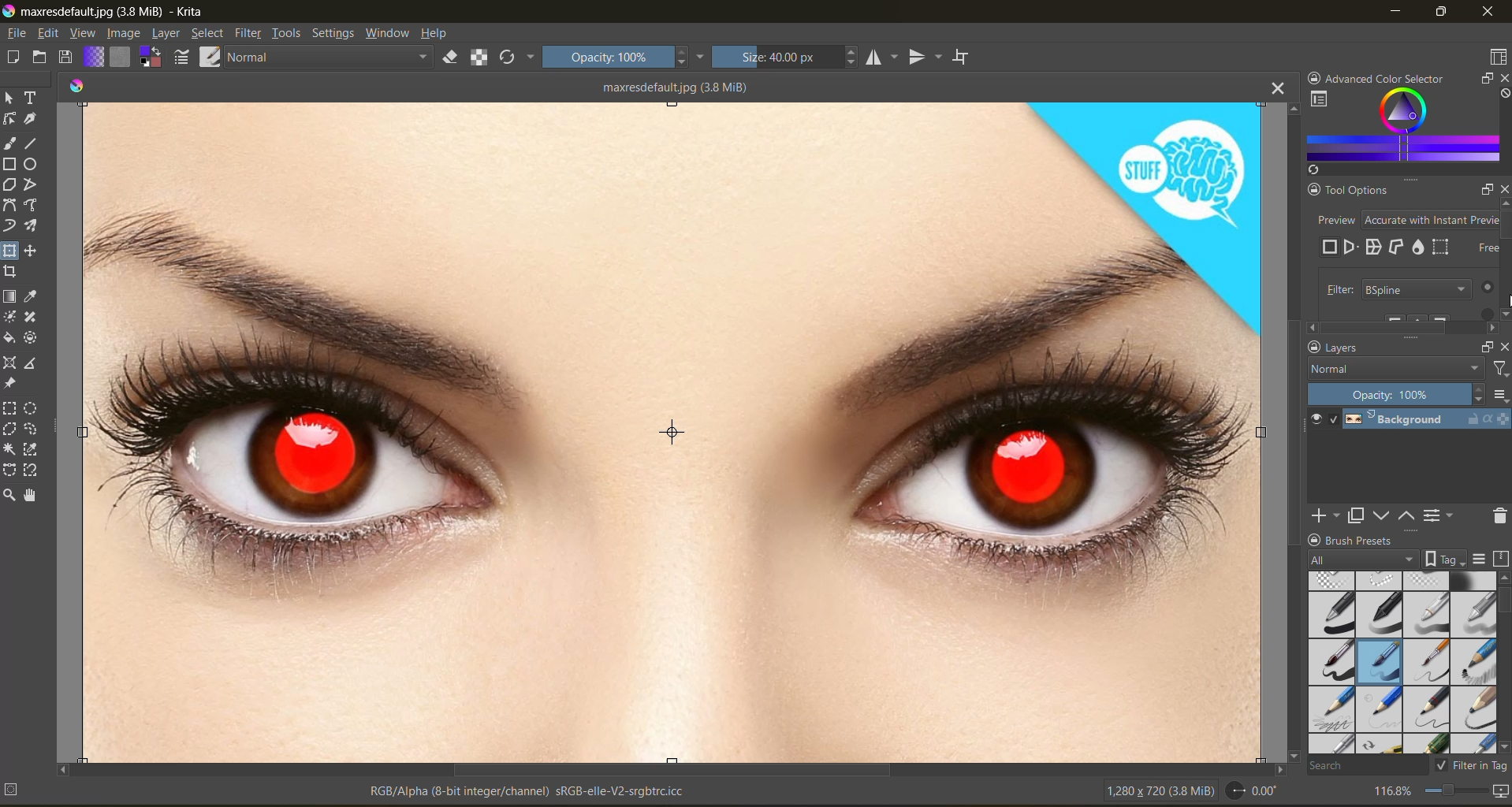 This screenshot has height=807, width=1512. Describe the element at coordinates (70, 56) in the screenshot. I see `save` at that location.